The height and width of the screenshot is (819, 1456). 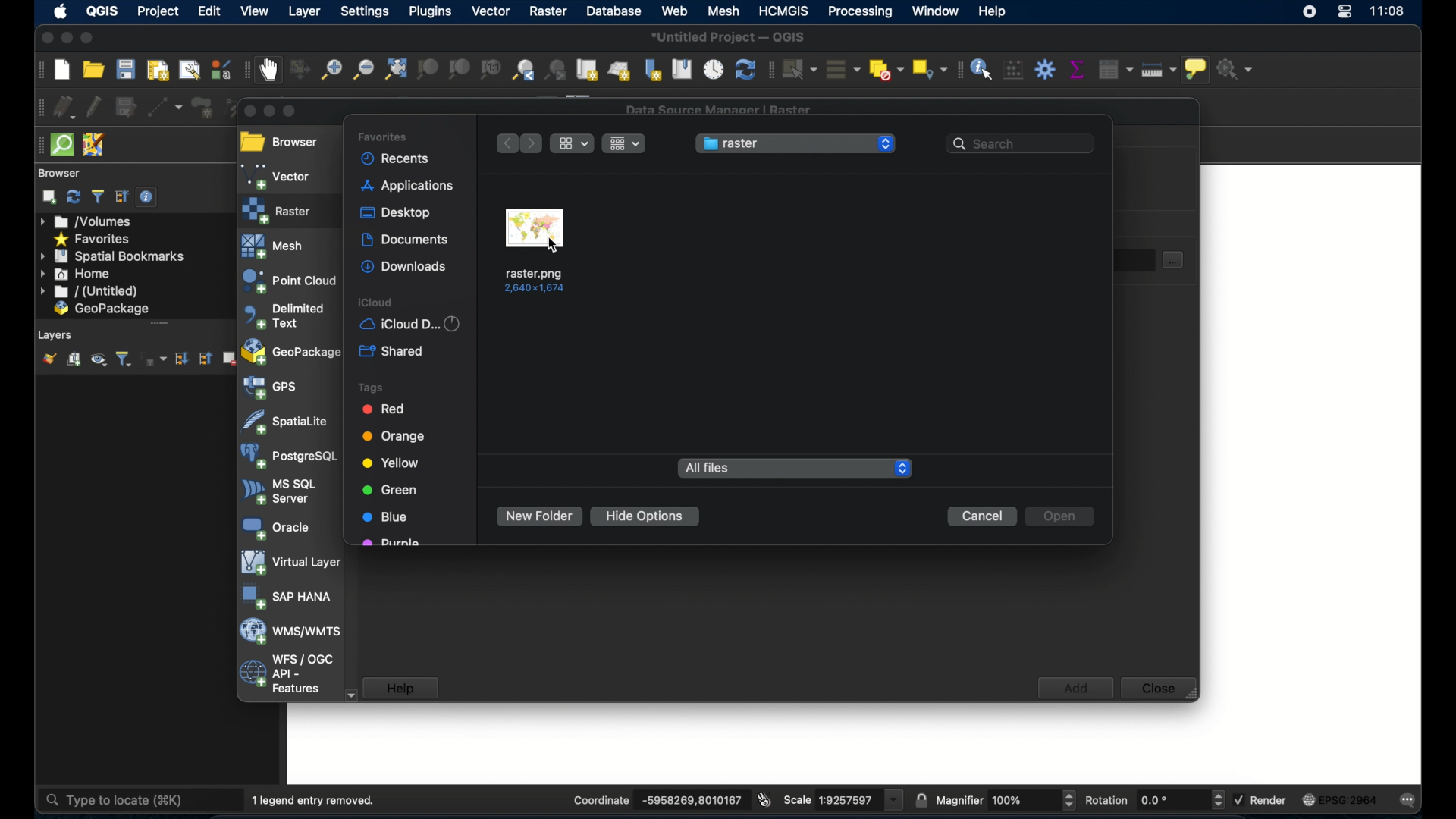 I want to click on map navigation toolbar, so click(x=247, y=70).